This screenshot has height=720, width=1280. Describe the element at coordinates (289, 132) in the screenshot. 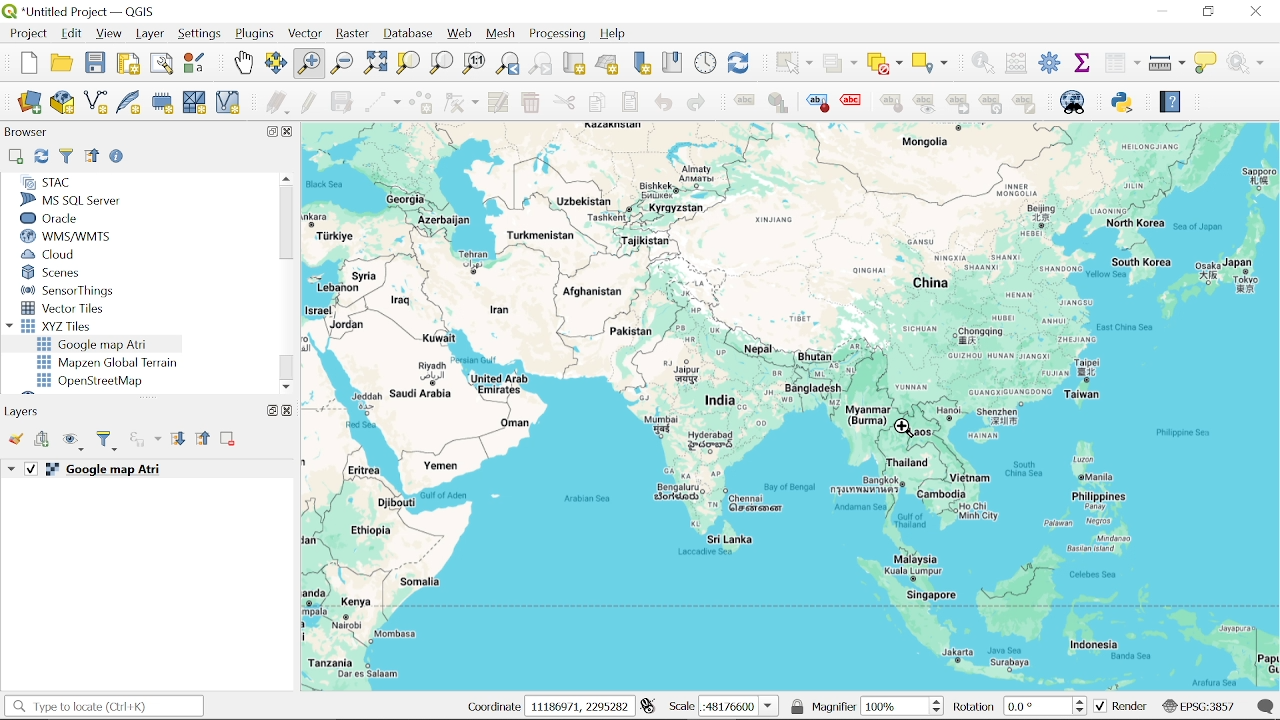

I see `Close Browser` at that location.